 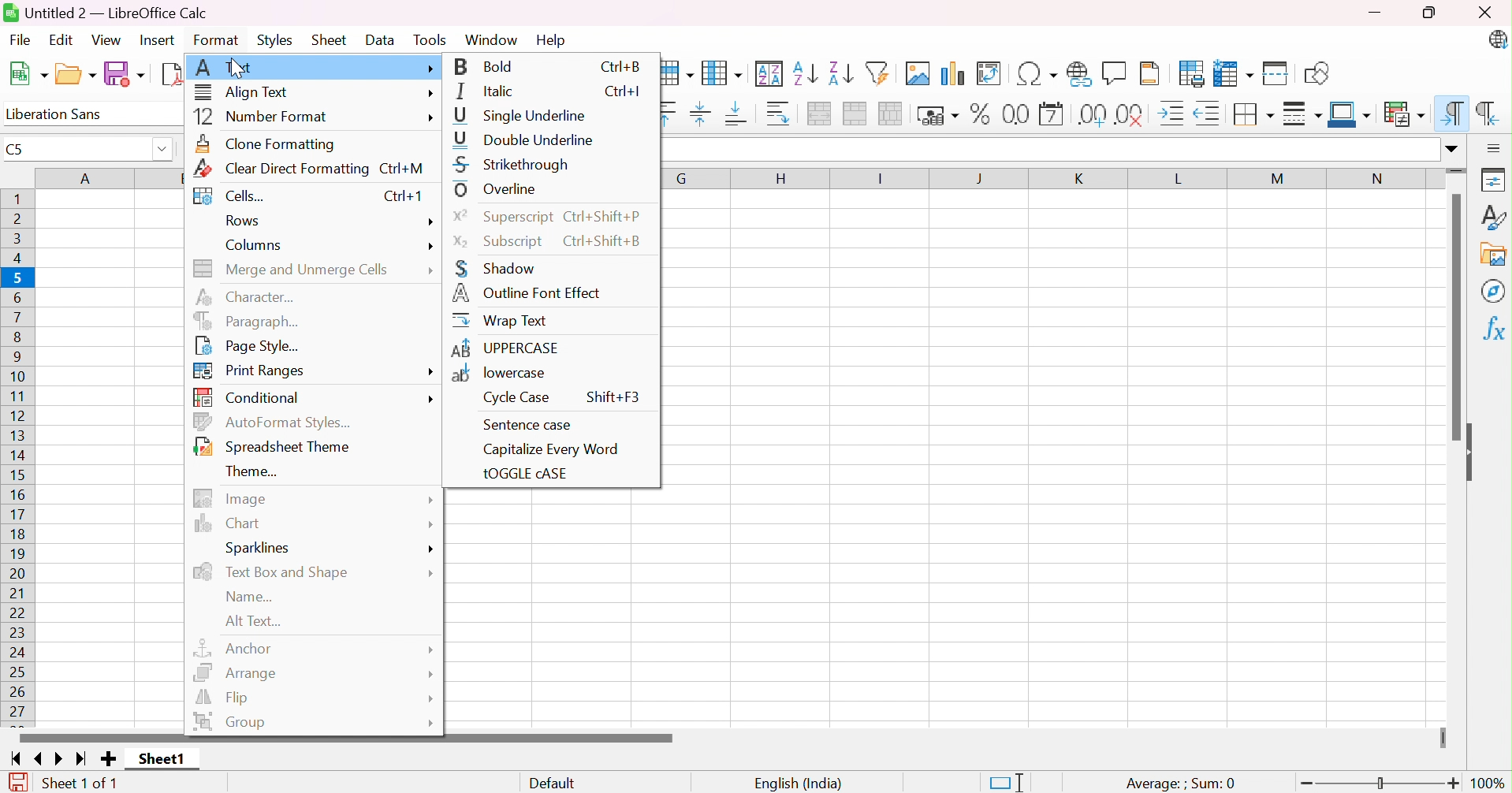 I want to click on Center Vertically, so click(x=705, y=116).